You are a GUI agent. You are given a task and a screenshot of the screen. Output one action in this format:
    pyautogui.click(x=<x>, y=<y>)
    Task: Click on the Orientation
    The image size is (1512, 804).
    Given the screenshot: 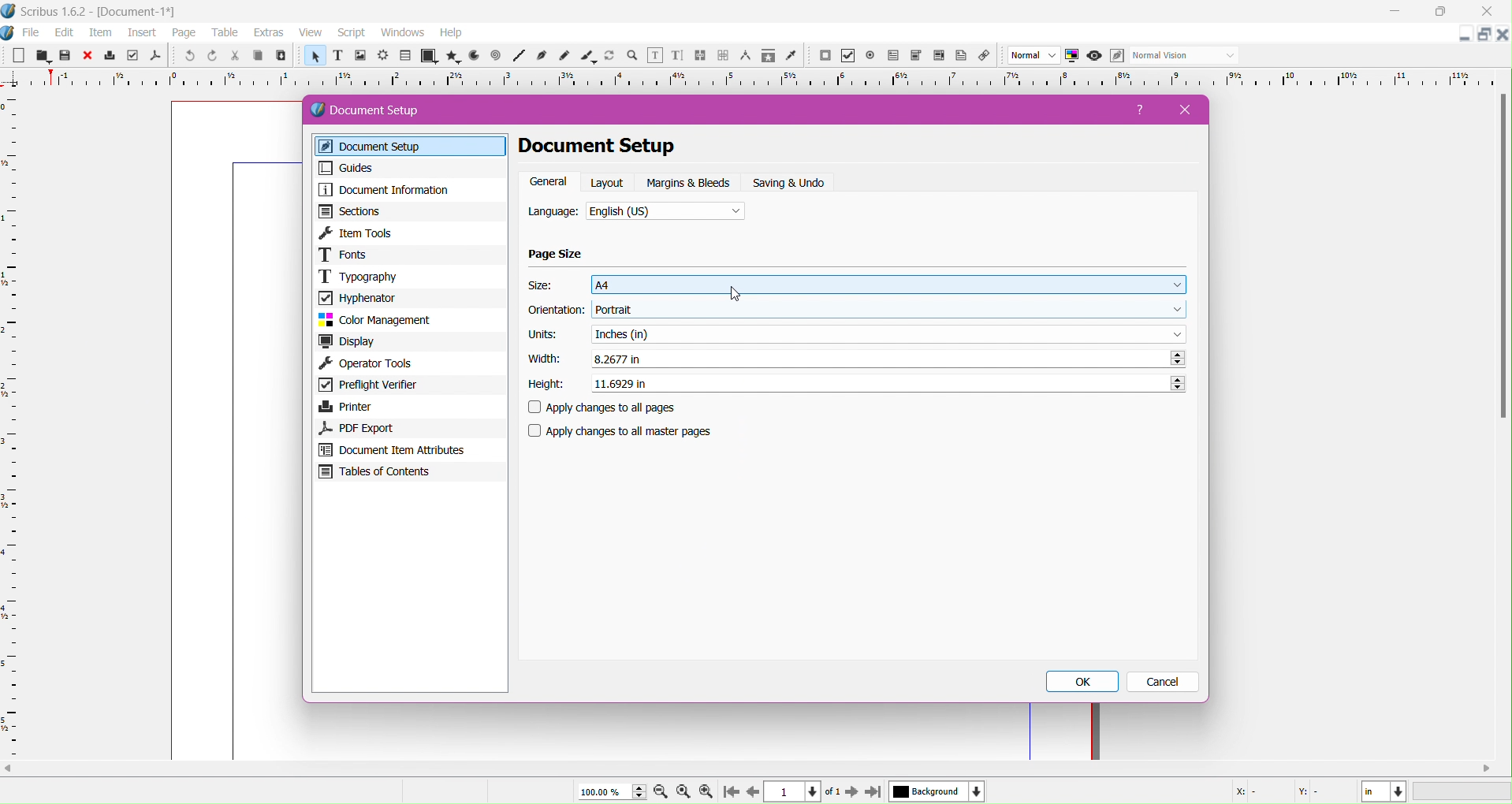 What is the action you would take?
    pyautogui.click(x=557, y=311)
    